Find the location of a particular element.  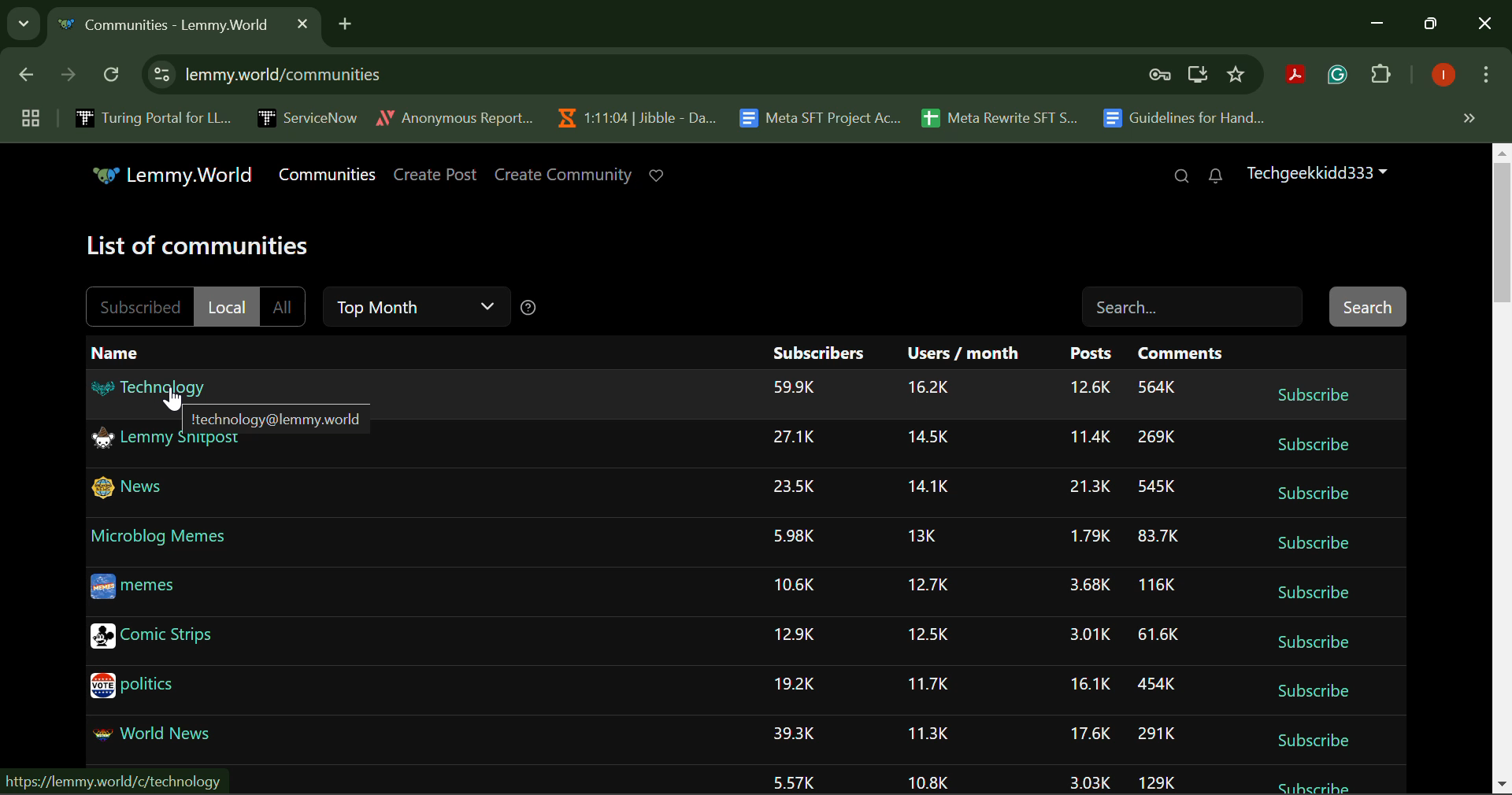

Sorting Help is located at coordinates (528, 308).